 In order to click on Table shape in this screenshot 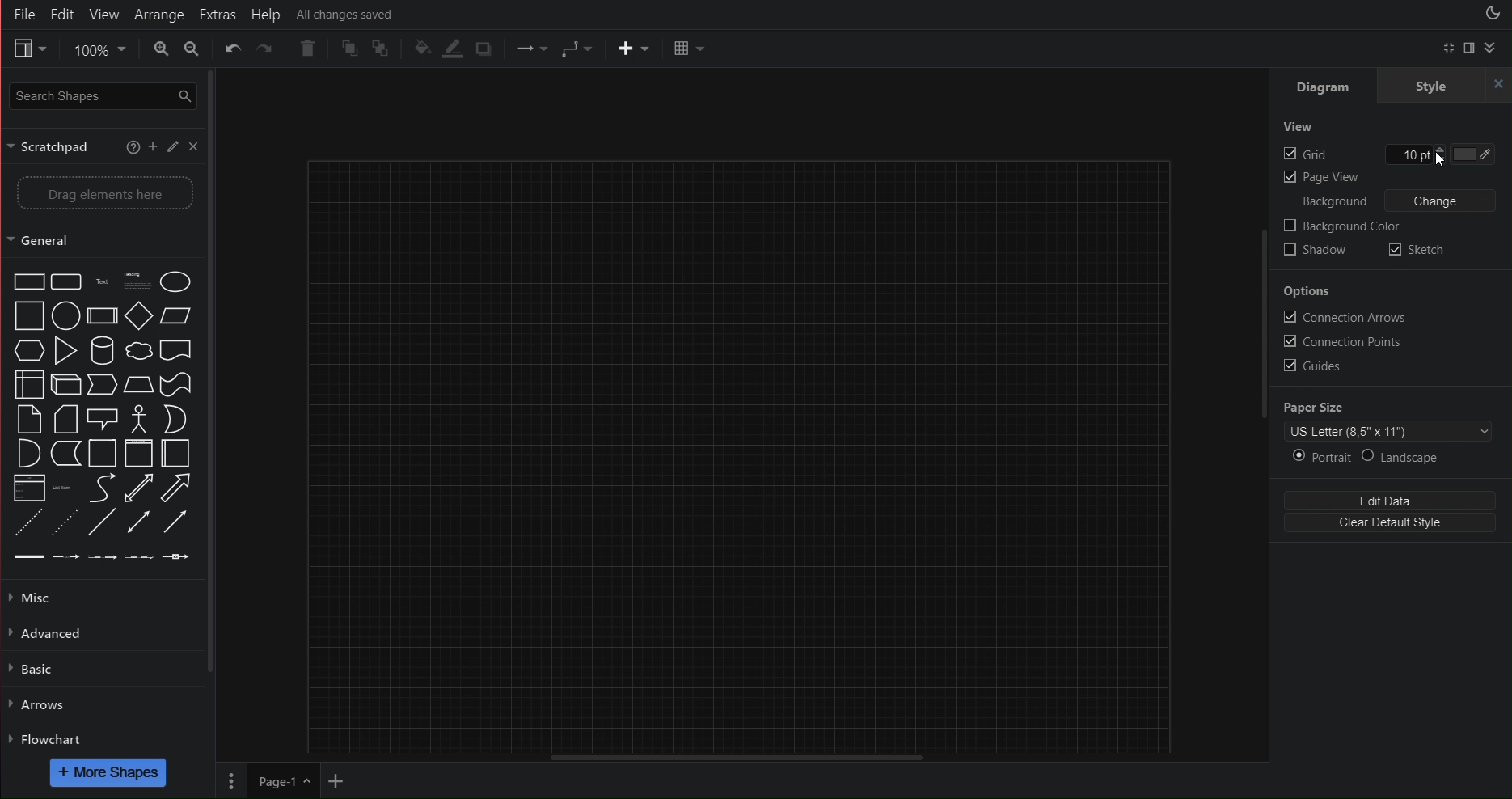, I will do `click(23, 383)`.